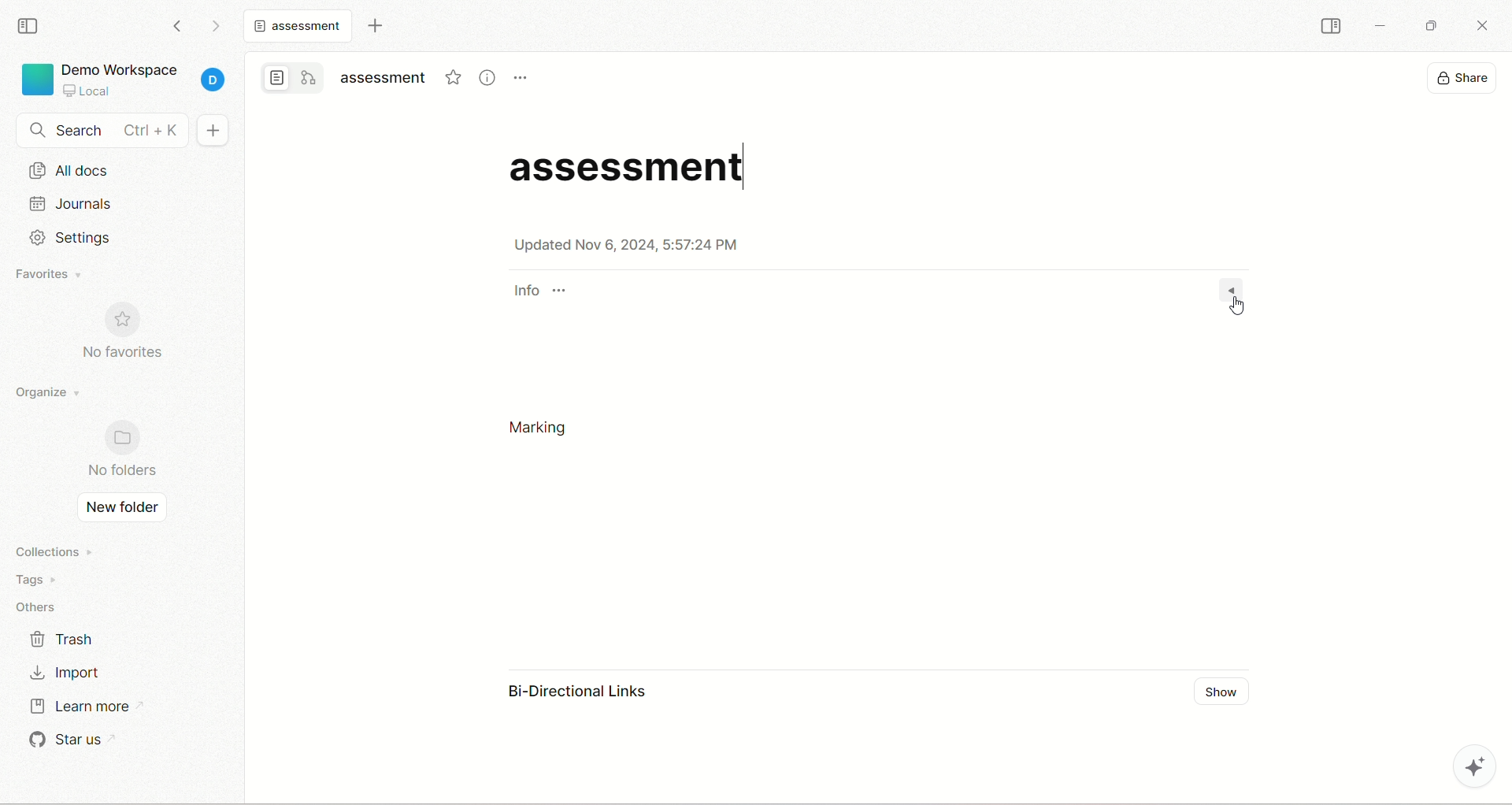 This screenshot has width=1512, height=805. Describe the element at coordinates (122, 321) in the screenshot. I see `icon` at that location.